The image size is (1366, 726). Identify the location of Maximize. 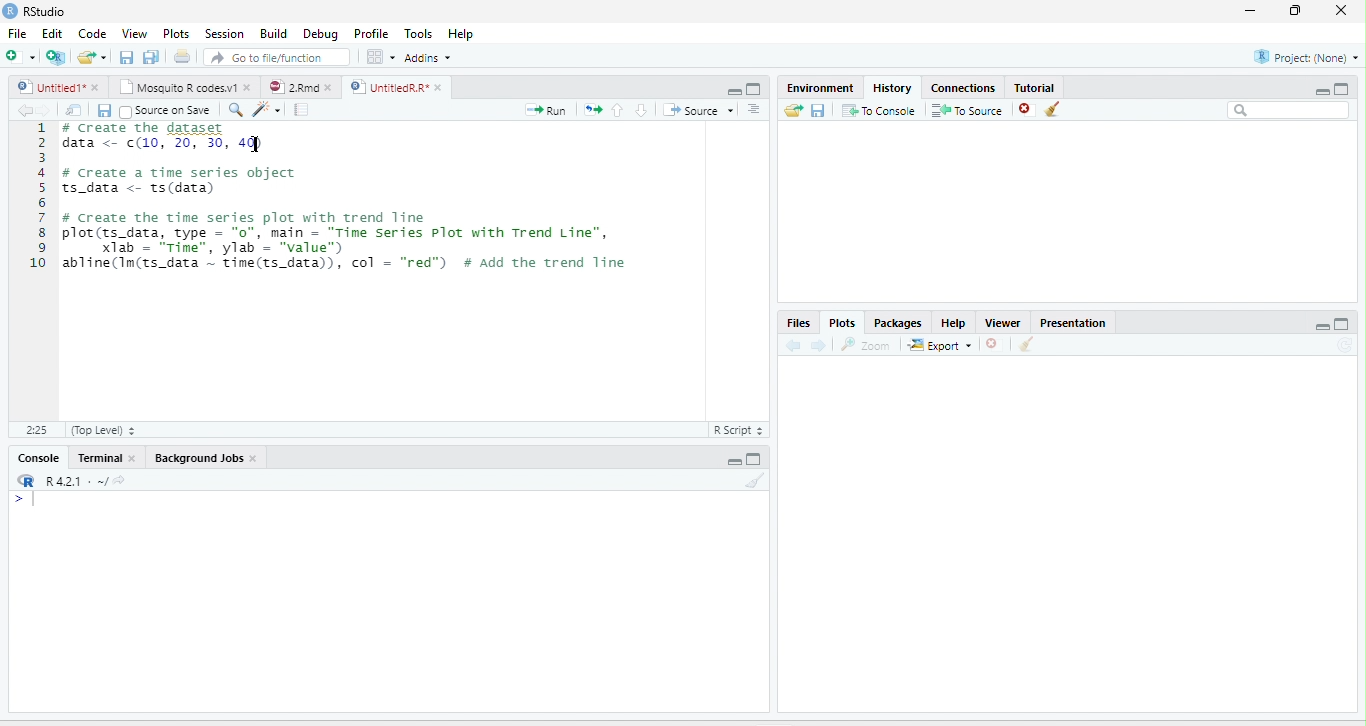
(1342, 88).